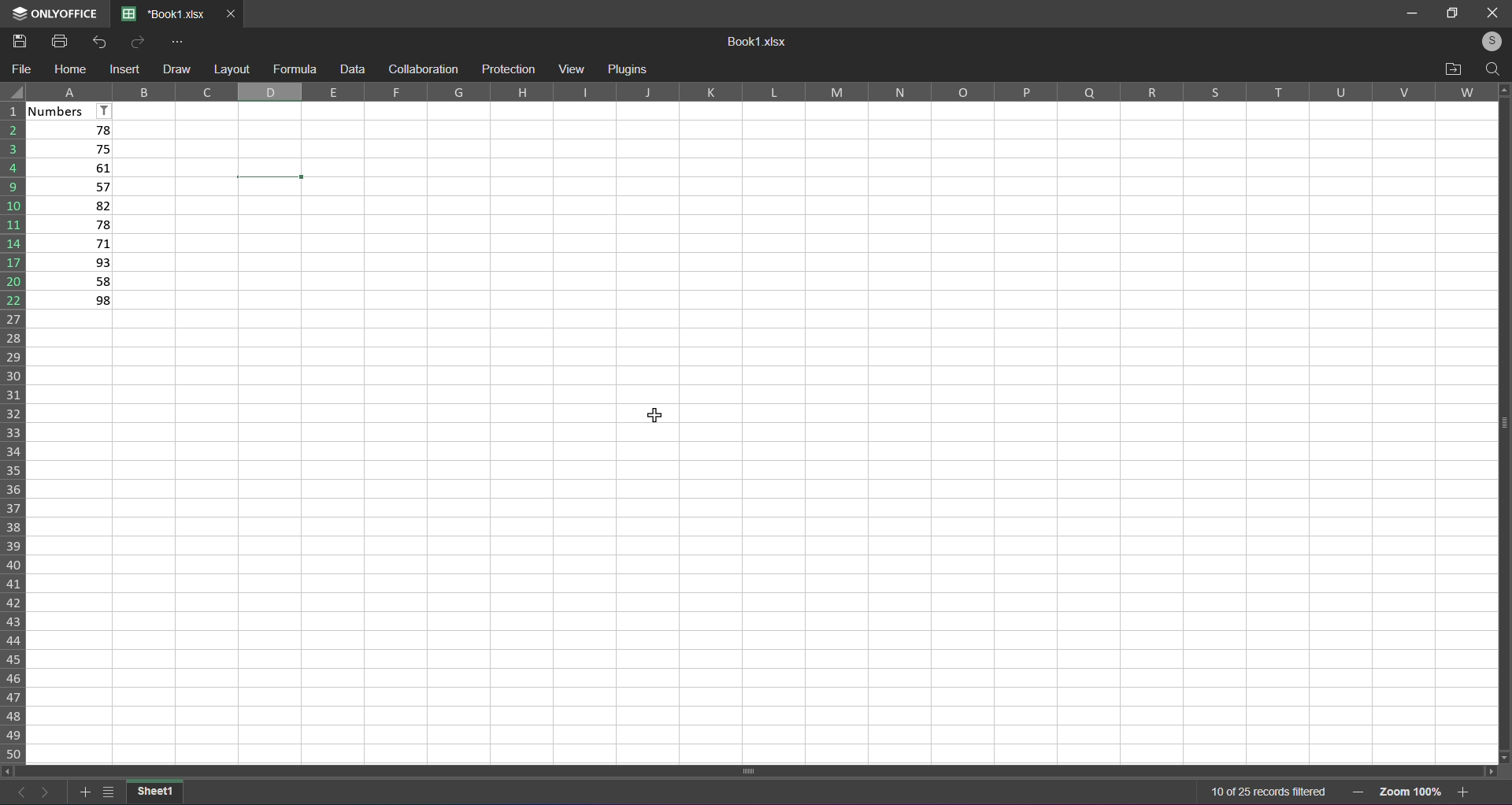  Describe the element at coordinates (72, 283) in the screenshot. I see `58` at that location.